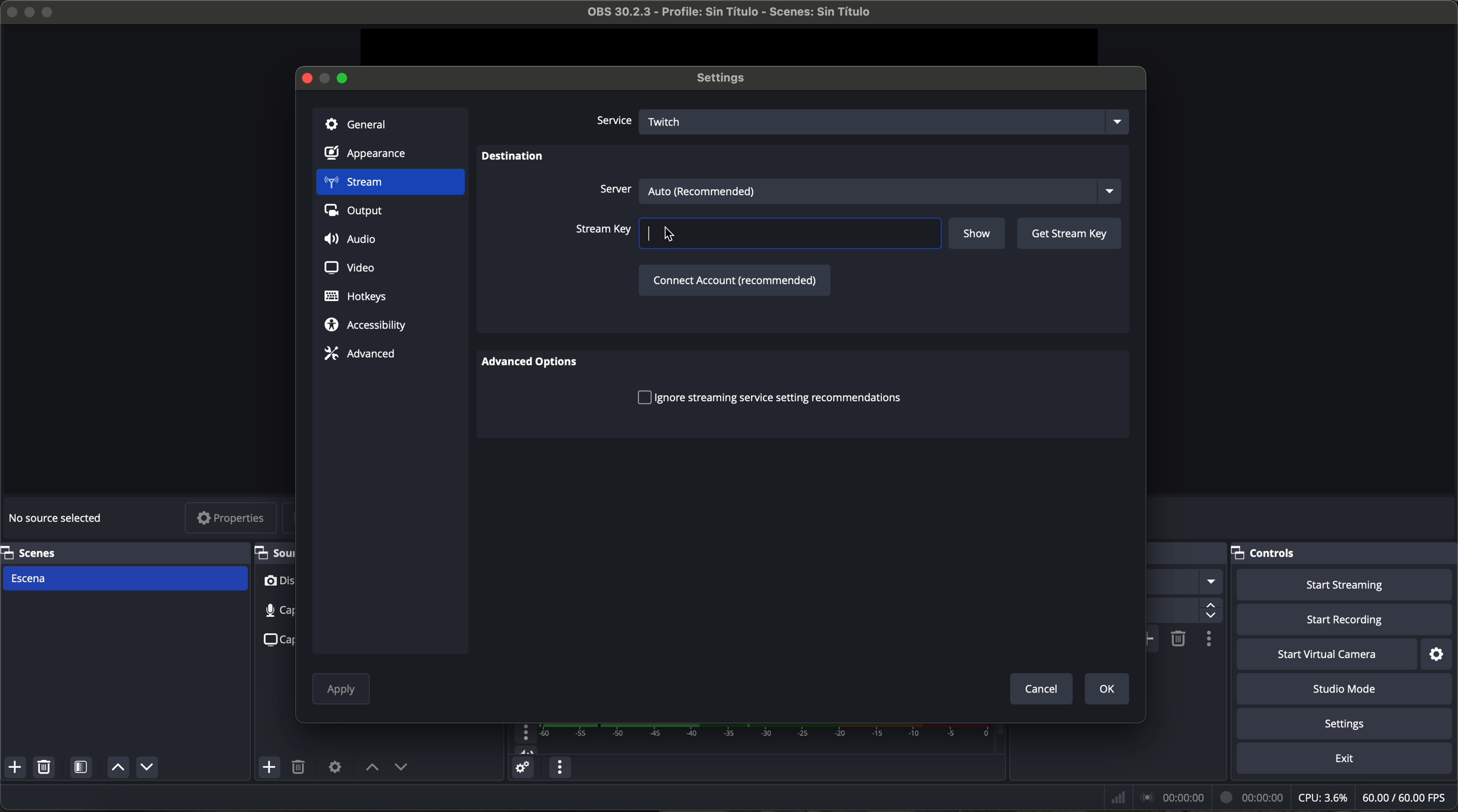 The image size is (1458, 812). Describe the element at coordinates (769, 397) in the screenshot. I see `ignore streaming service setting recommendations` at that location.